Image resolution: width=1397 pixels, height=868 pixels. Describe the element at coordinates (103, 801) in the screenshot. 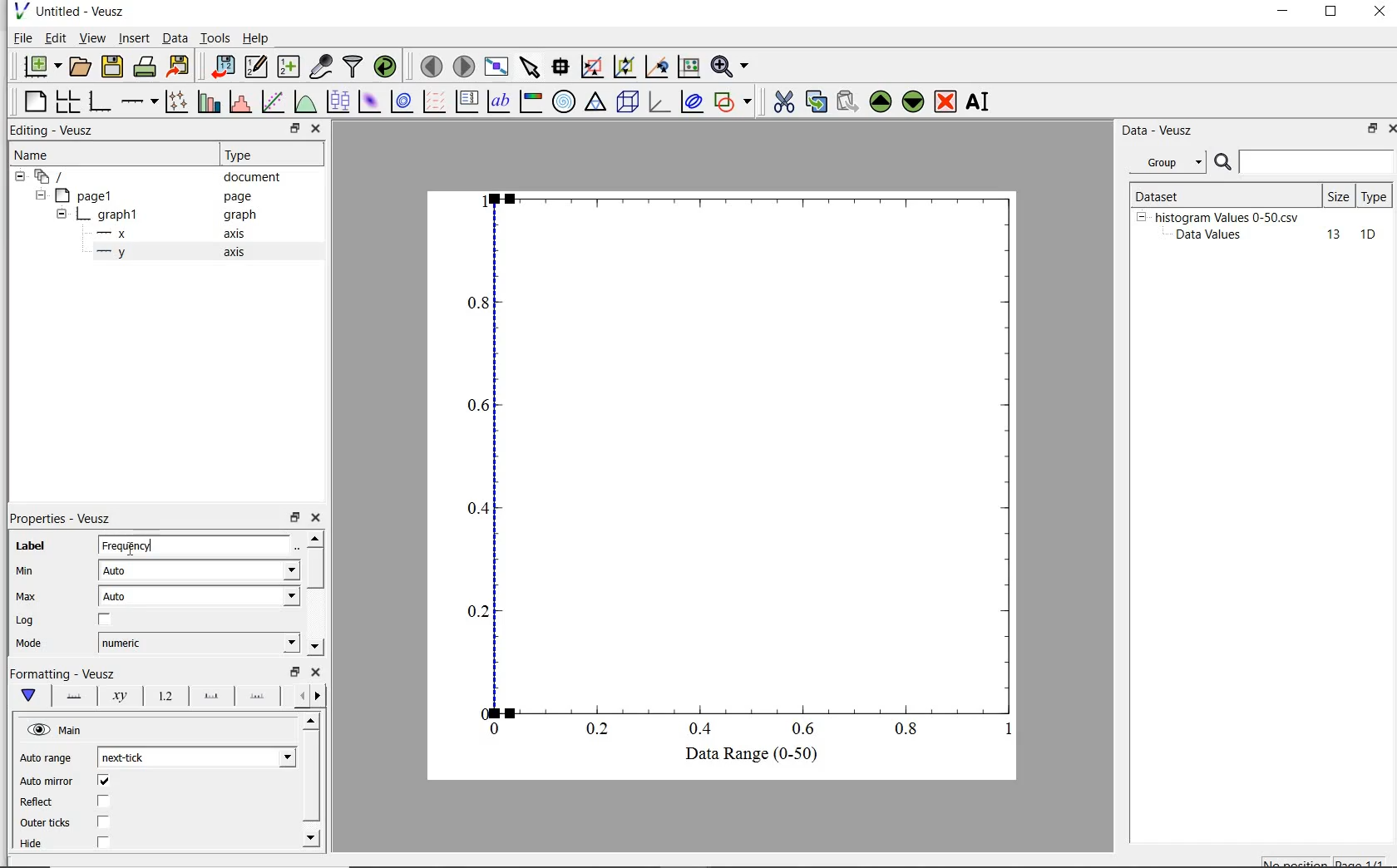

I see `checkbox` at that location.